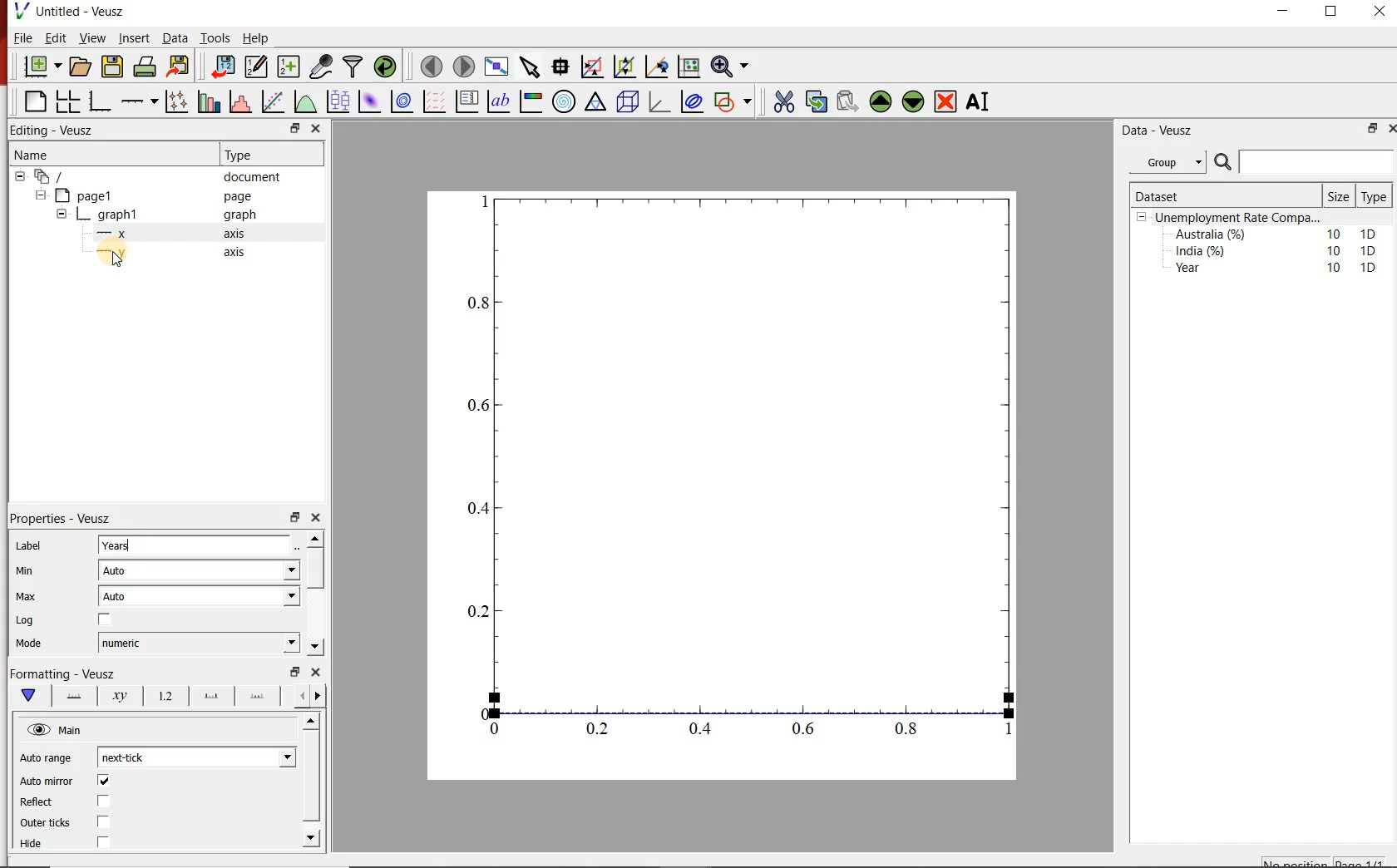  What do you see at coordinates (317, 518) in the screenshot?
I see `close` at bounding box center [317, 518].